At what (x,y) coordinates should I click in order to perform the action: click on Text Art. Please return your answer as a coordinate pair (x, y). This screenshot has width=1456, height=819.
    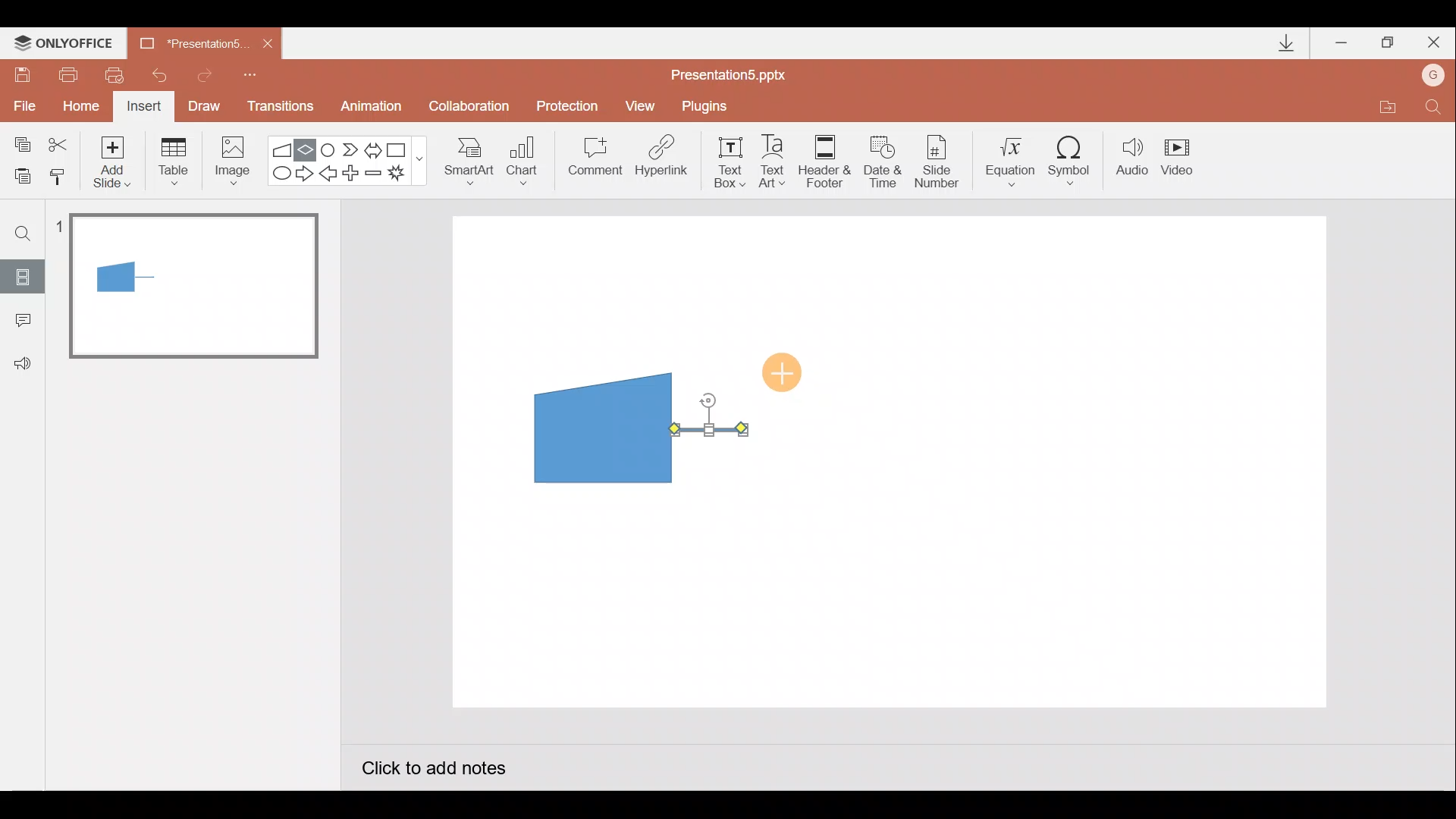
    Looking at the image, I should click on (777, 161).